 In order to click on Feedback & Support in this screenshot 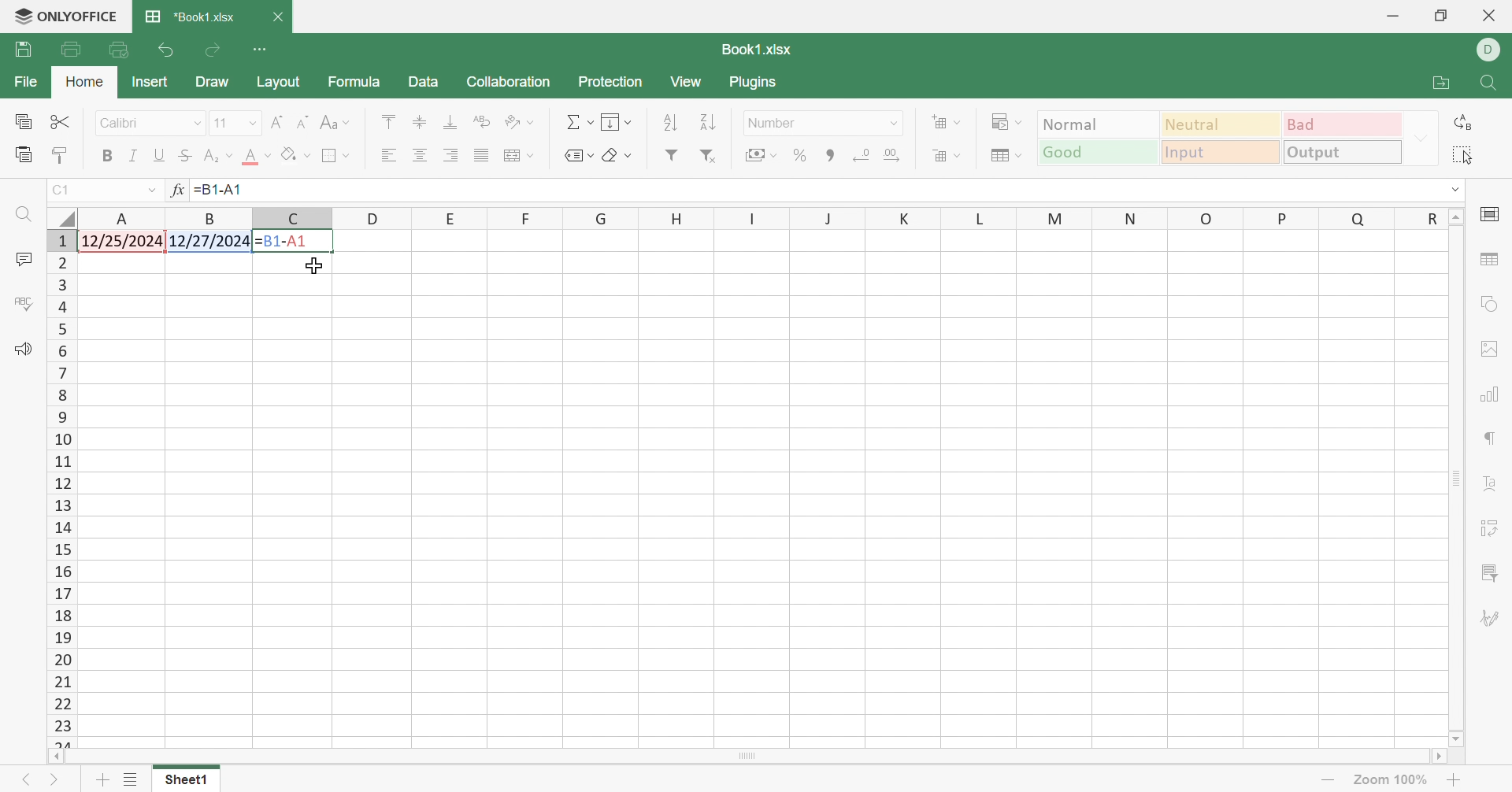, I will do `click(24, 349)`.